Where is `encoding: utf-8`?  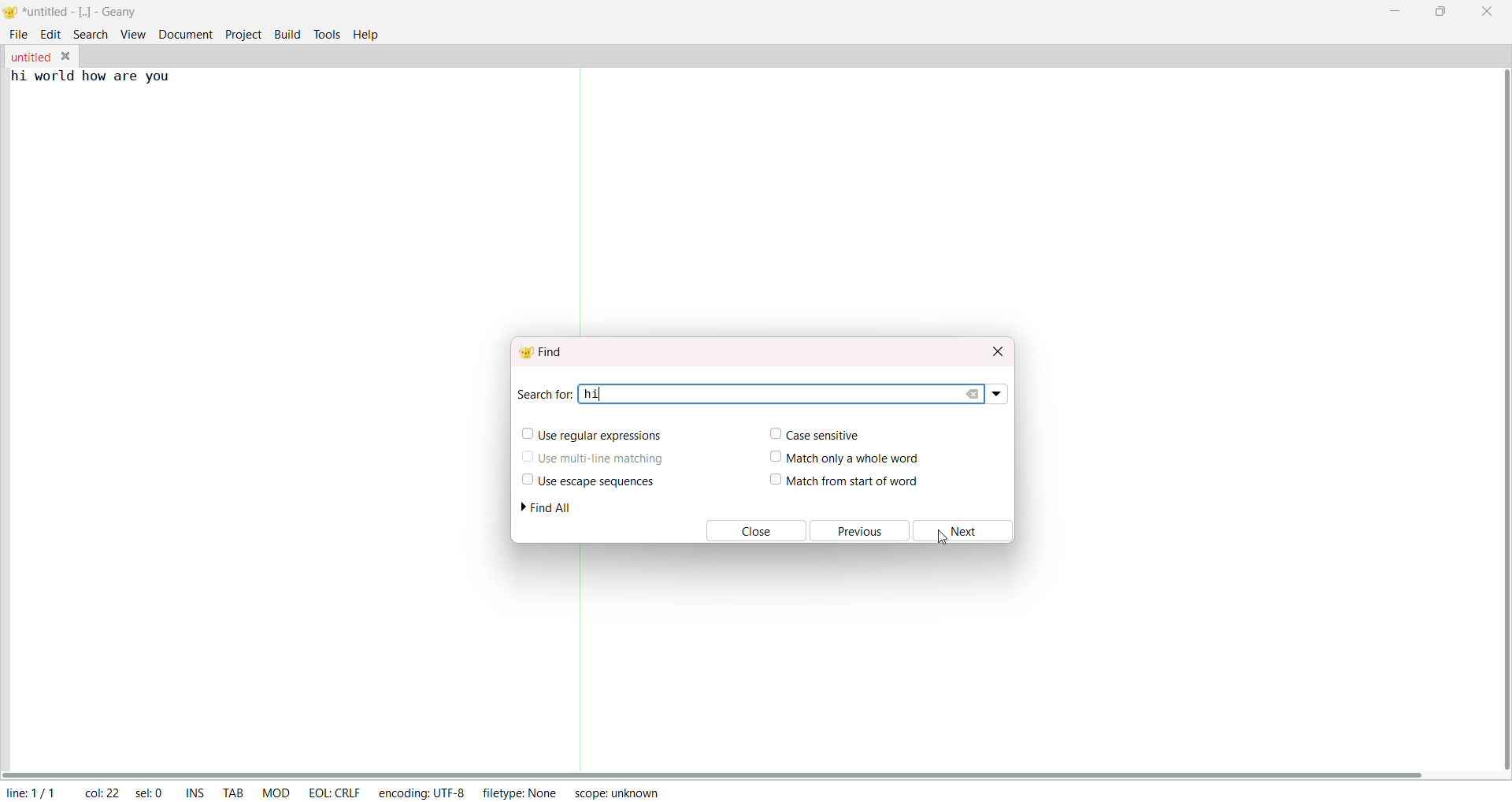 encoding: utf-8 is located at coordinates (420, 791).